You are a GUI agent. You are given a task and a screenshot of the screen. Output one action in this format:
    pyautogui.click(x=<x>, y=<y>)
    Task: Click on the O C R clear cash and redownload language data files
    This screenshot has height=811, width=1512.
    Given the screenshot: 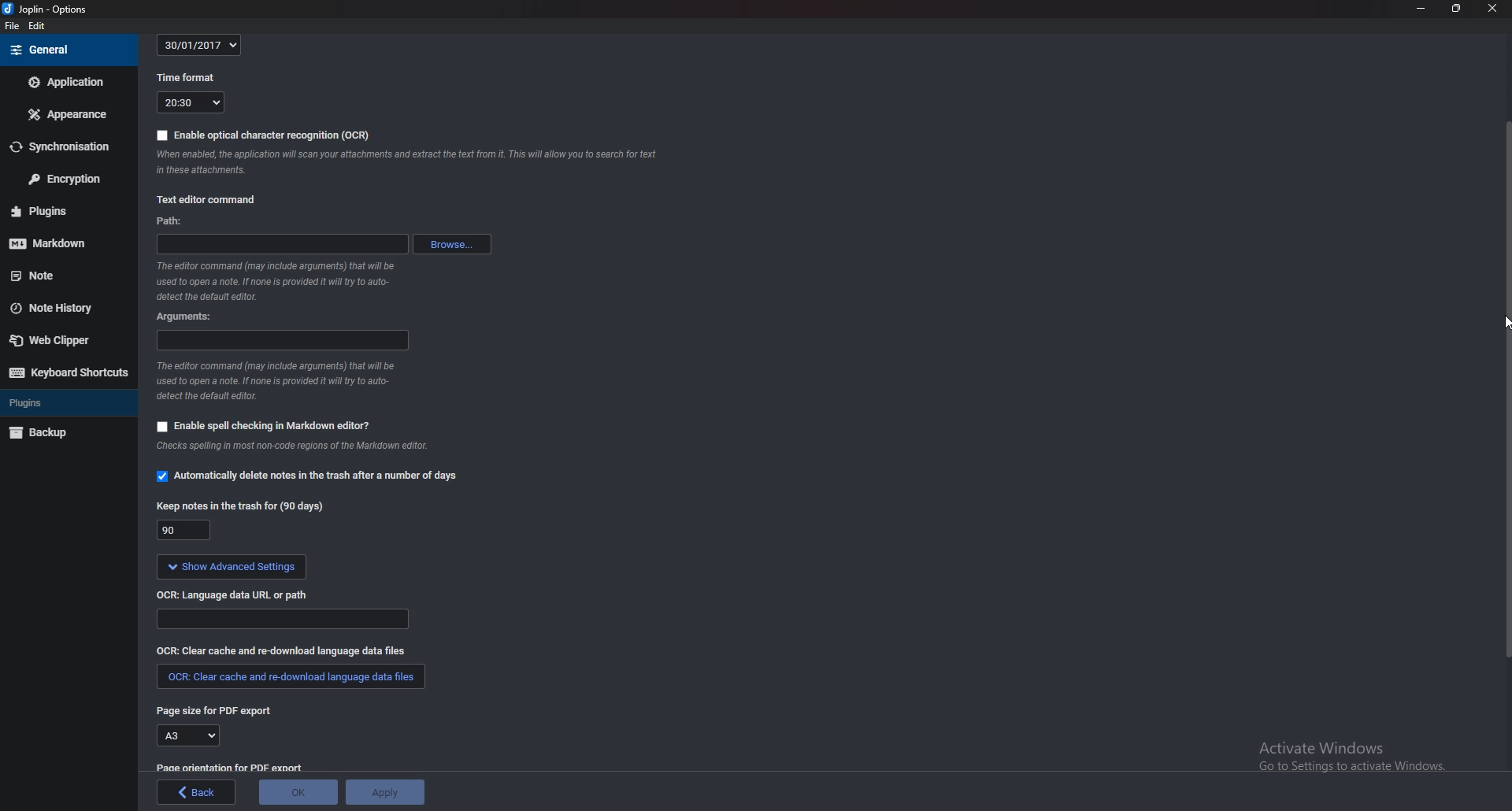 What is the action you would take?
    pyautogui.click(x=298, y=652)
    